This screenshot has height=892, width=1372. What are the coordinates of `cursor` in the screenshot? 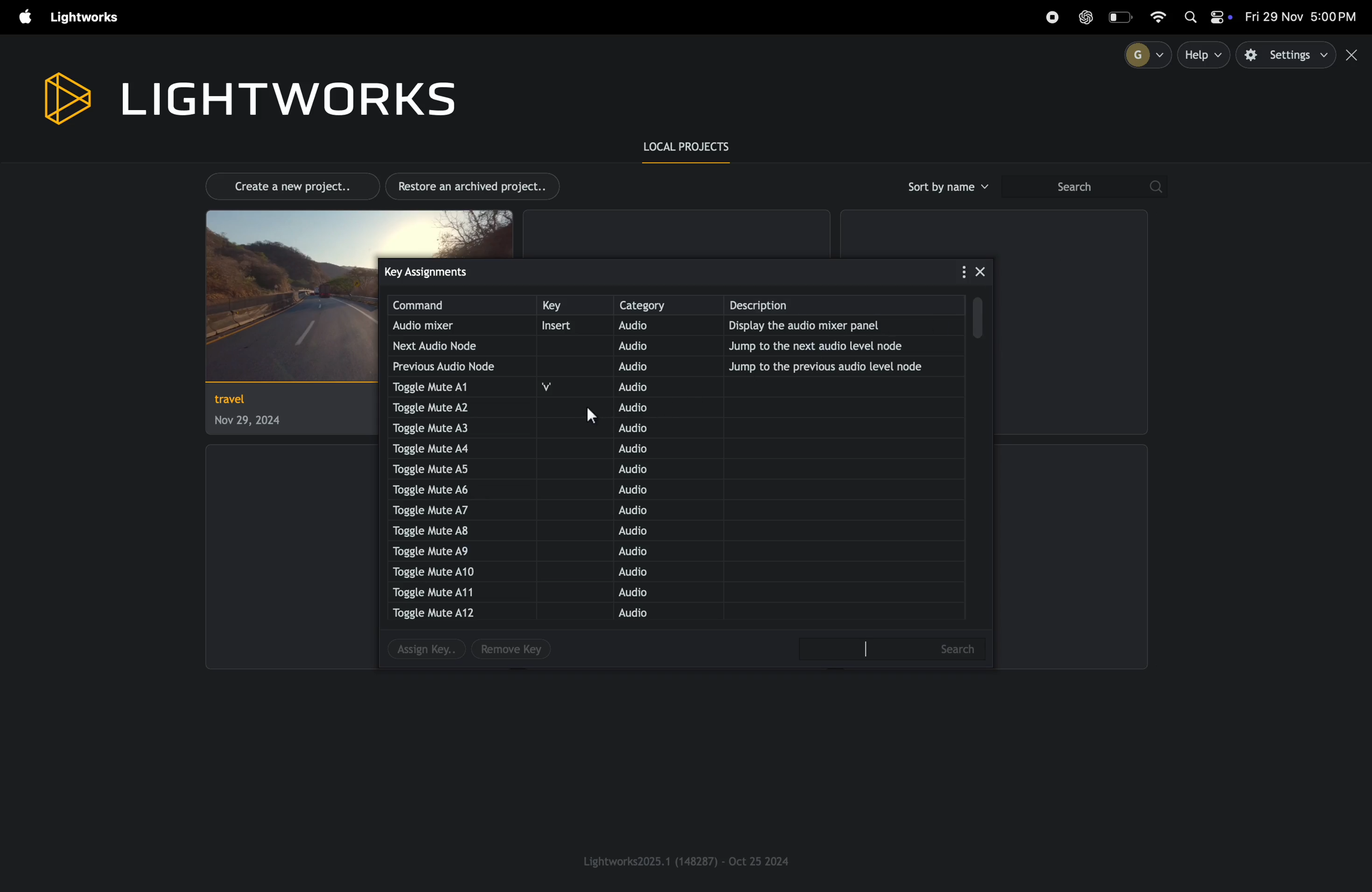 It's located at (590, 414).